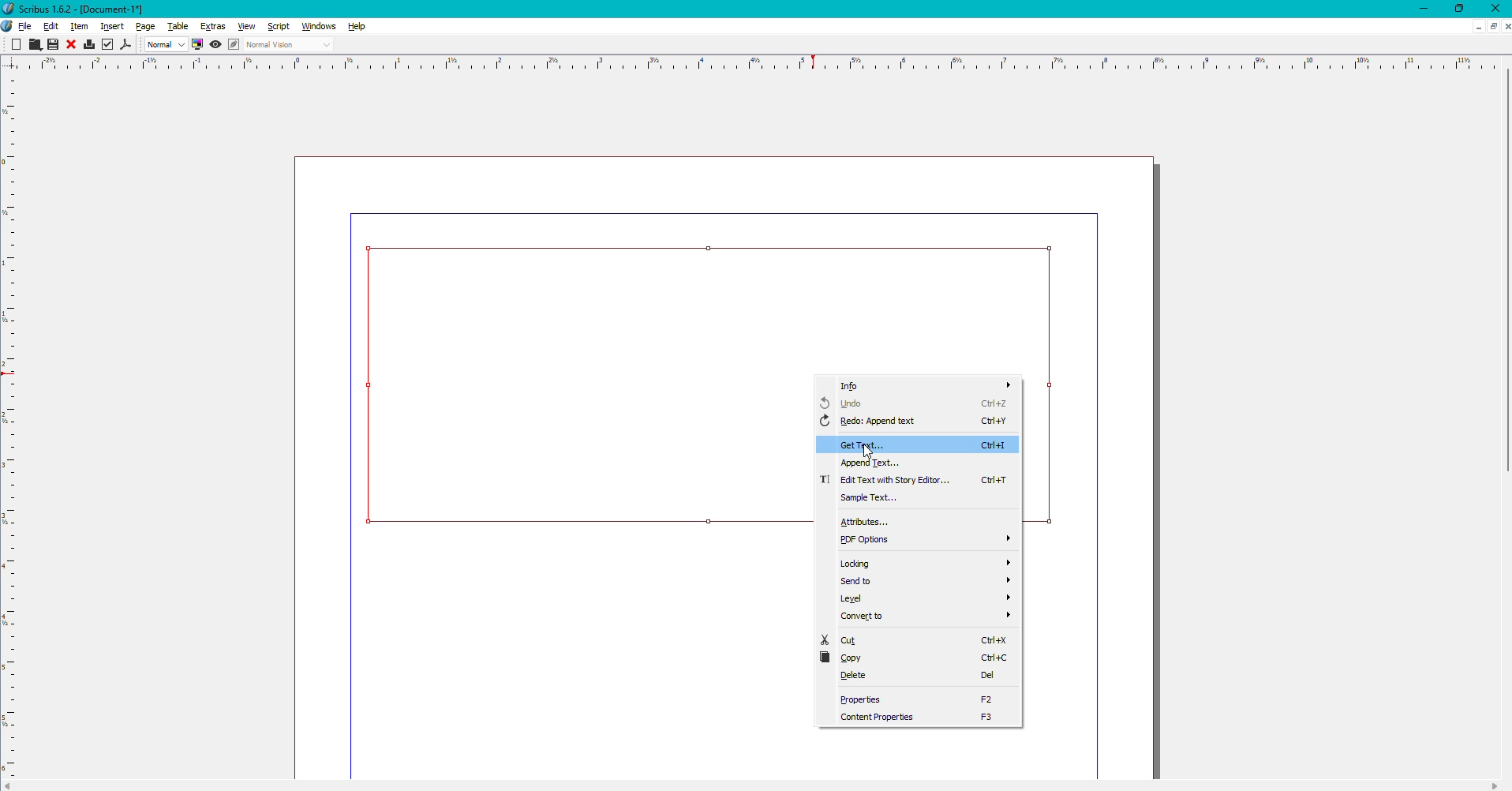  I want to click on scale, so click(758, 61).